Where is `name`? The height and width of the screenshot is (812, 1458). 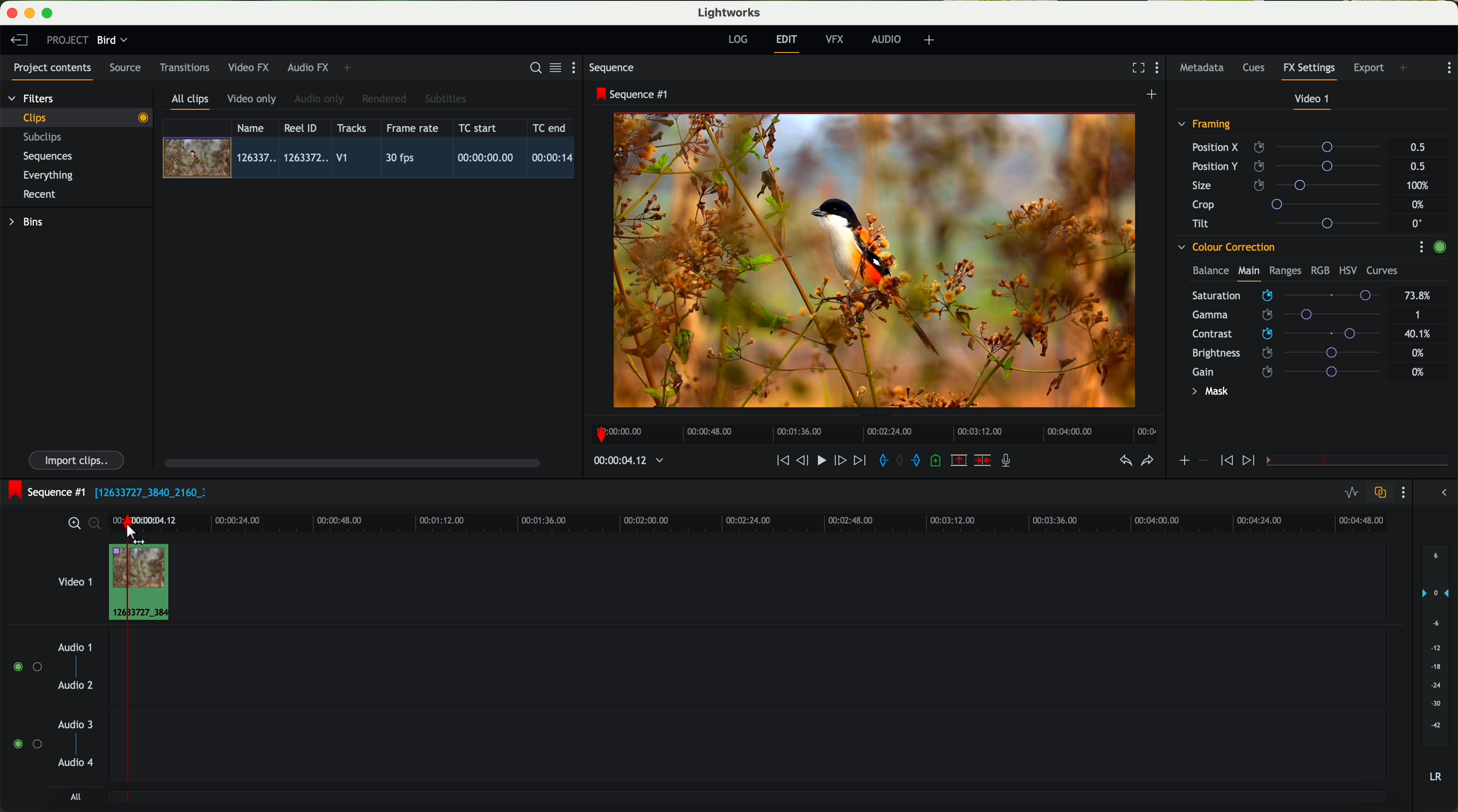 name is located at coordinates (255, 128).